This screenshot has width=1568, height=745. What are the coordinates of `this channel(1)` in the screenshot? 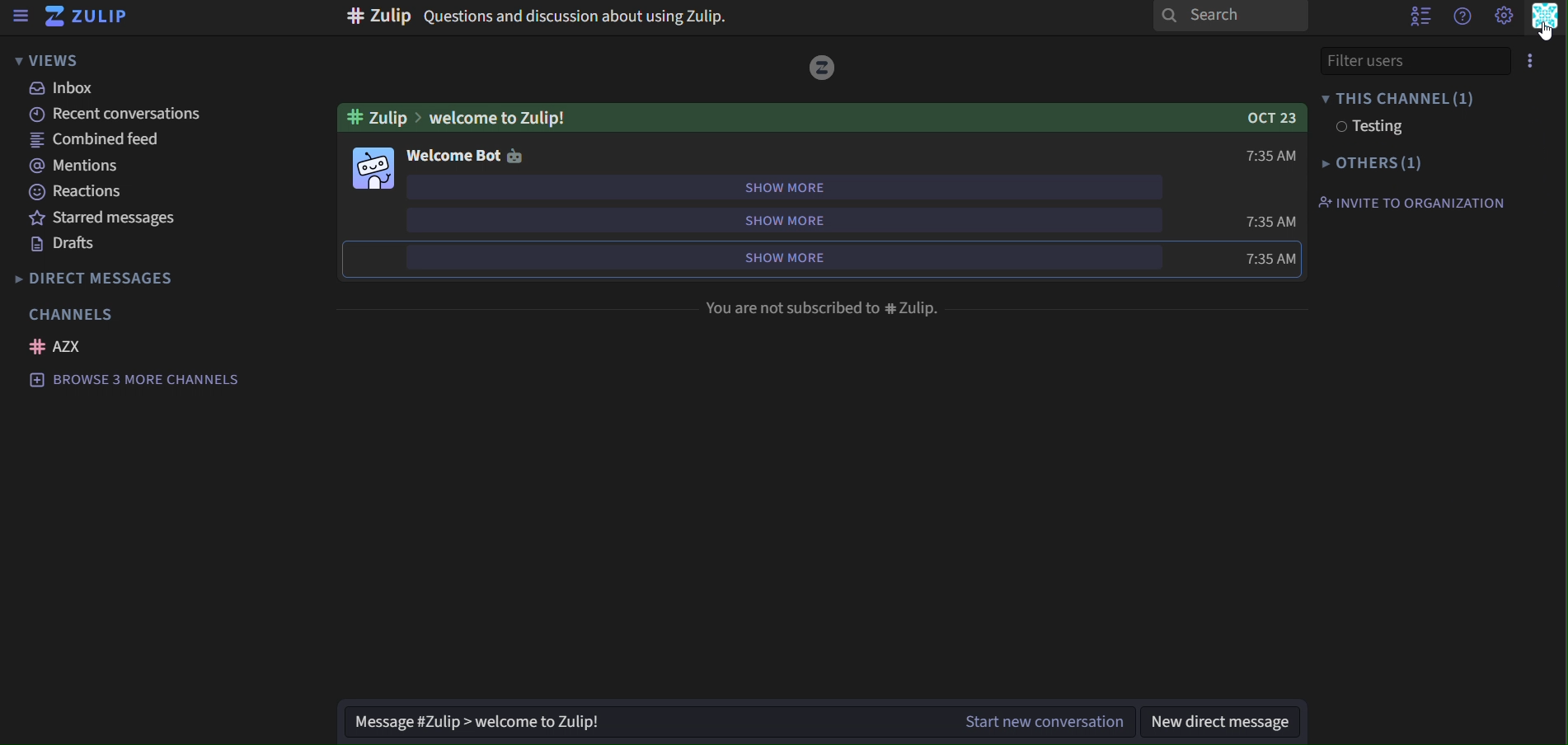 It's located at (1400, 96).